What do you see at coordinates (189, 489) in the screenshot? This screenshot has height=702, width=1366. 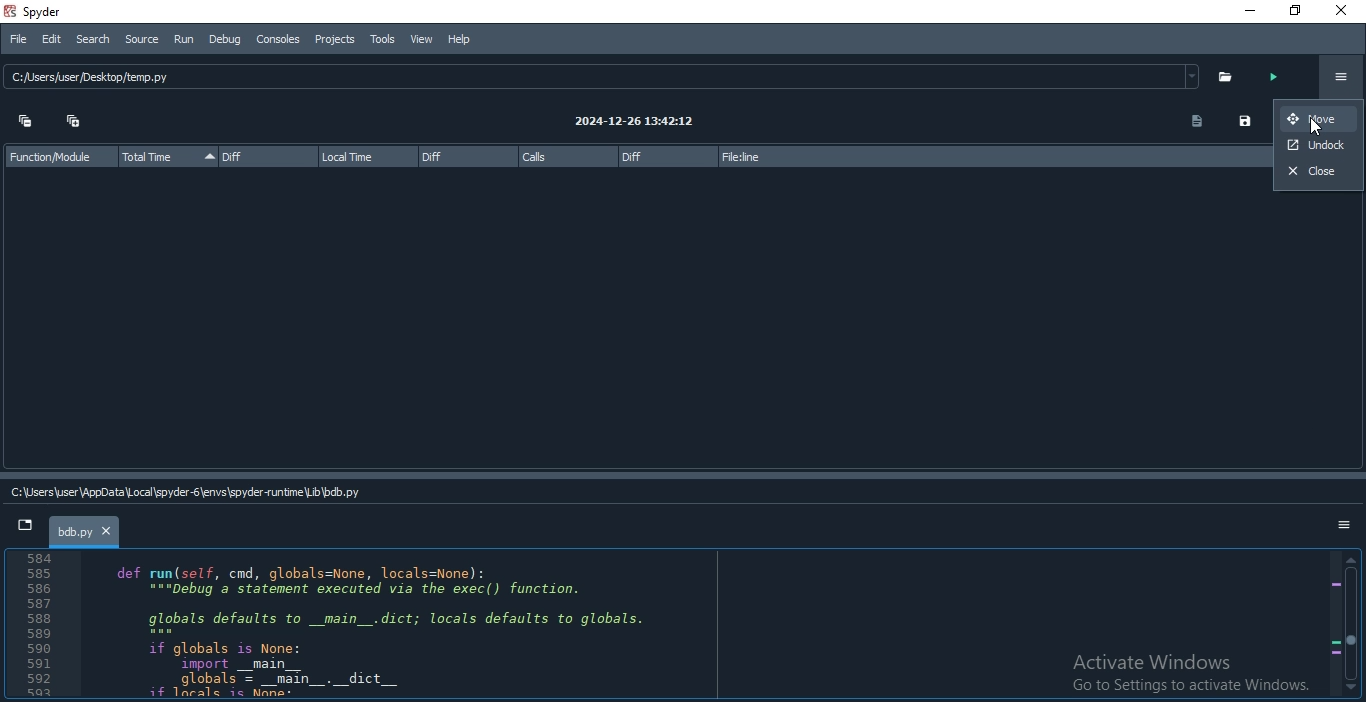 I see `C:\User\AppData\Local\spyder-5` at bounding box center [189, 489].